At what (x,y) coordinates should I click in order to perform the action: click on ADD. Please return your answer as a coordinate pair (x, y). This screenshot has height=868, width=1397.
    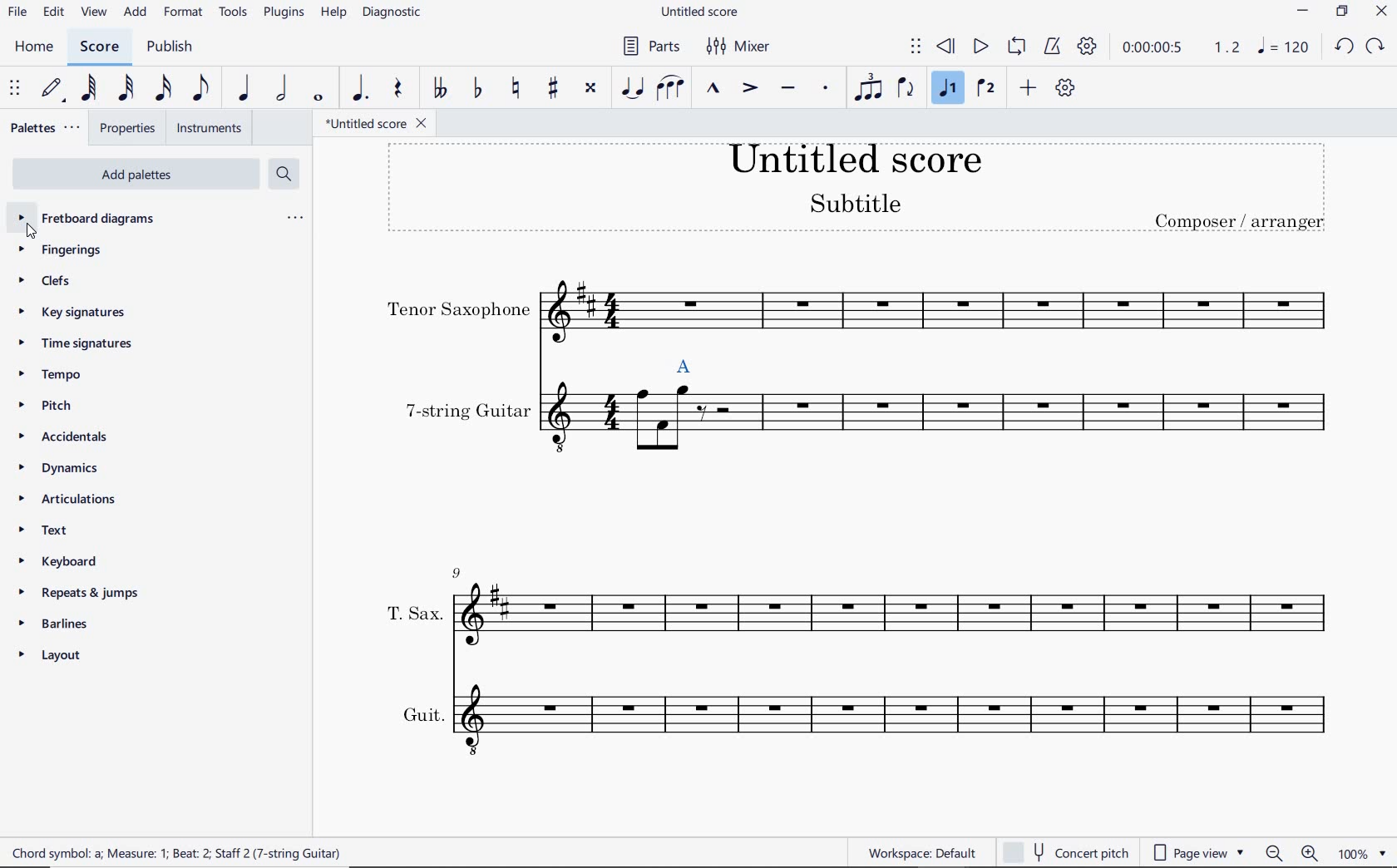
    Looking at the image, I should click on (136, 12).